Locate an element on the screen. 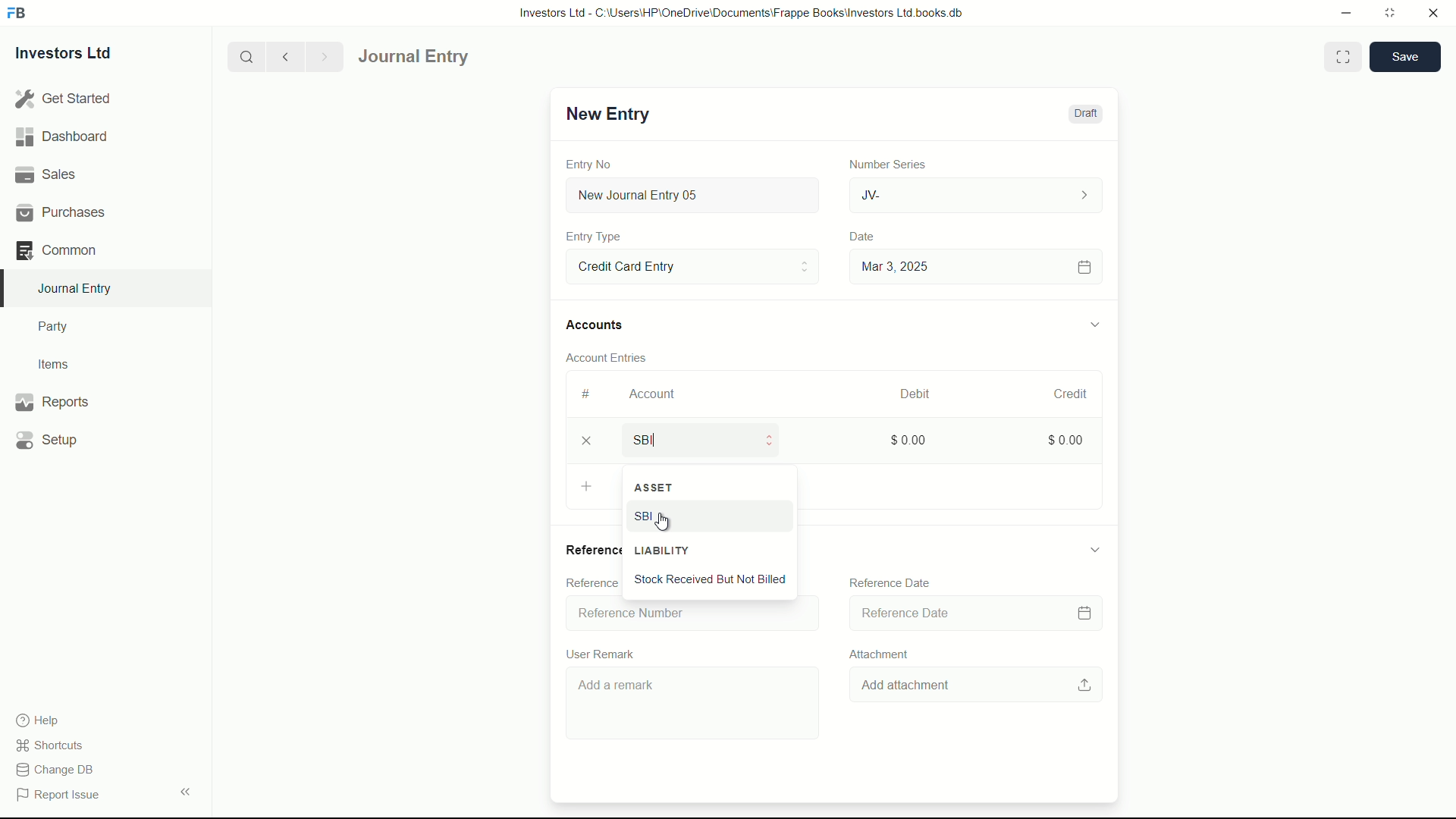  previous is located at coordinates (284, 56).